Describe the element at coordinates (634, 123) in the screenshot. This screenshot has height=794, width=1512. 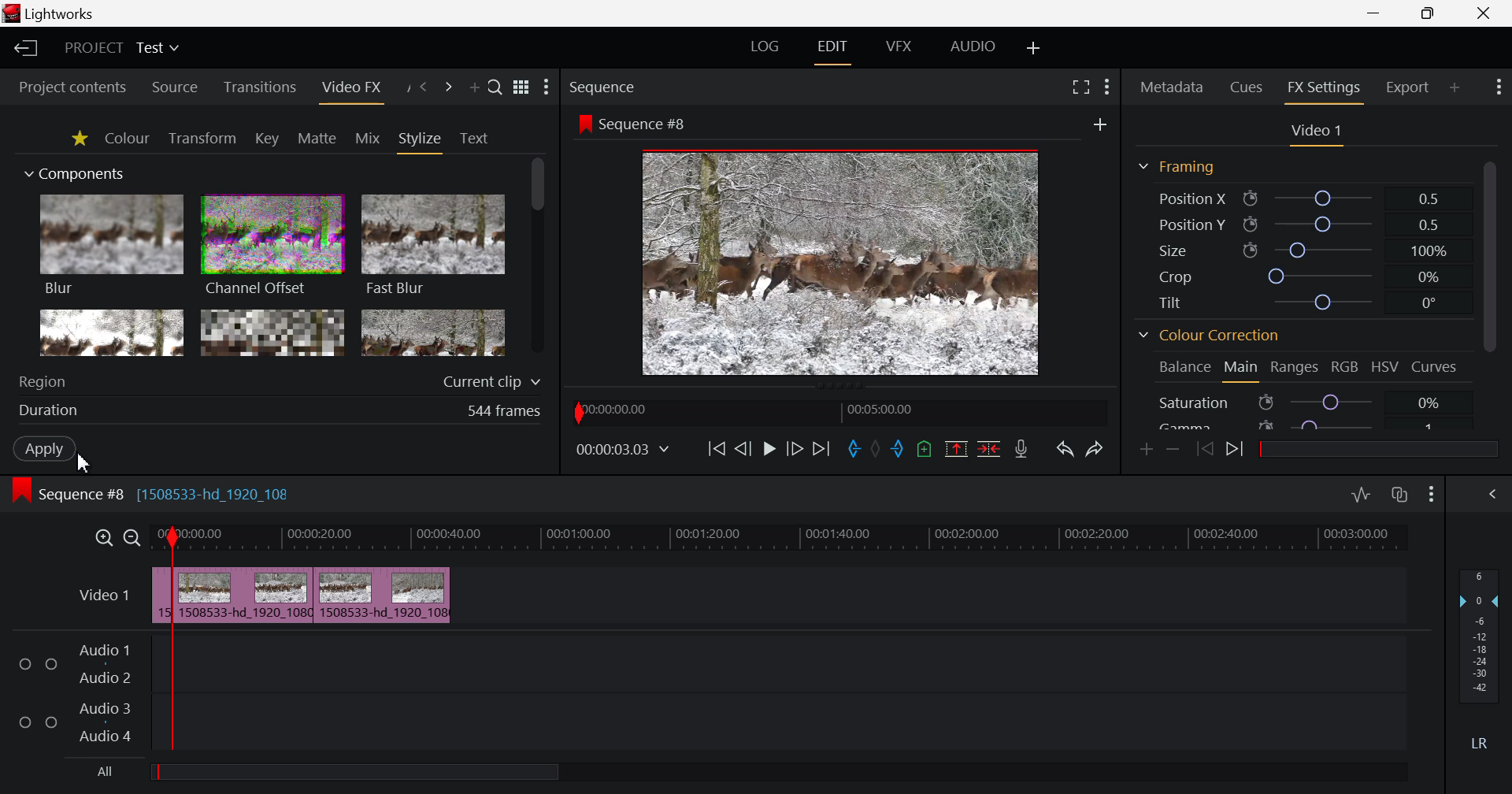
I see `Sequence #8` at that location.